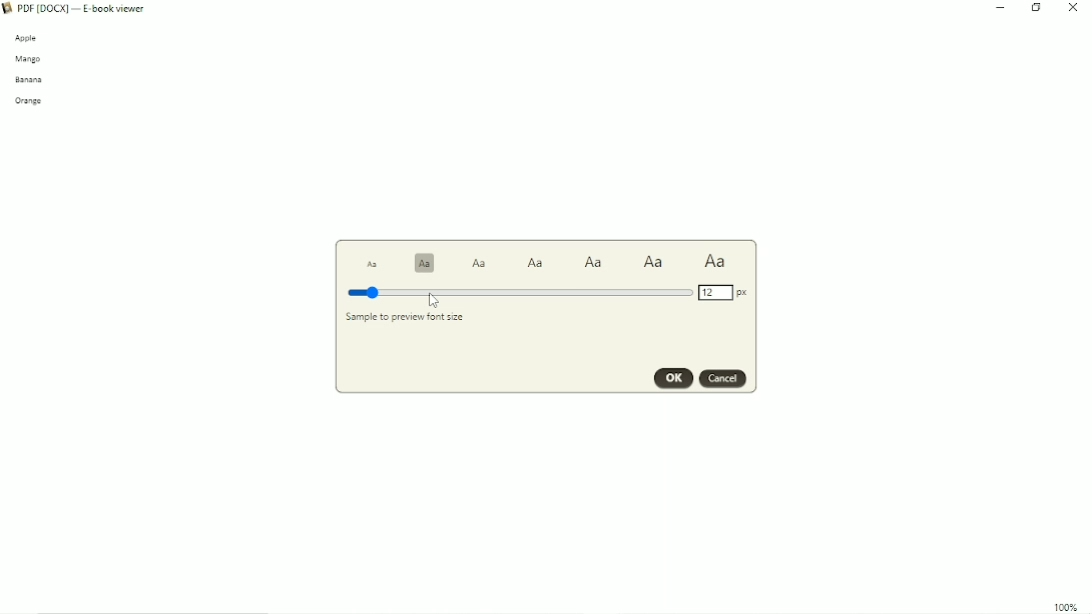 The height and width of the screenshot is (614, 1092). I want to click on Text size, so click(425, 263).